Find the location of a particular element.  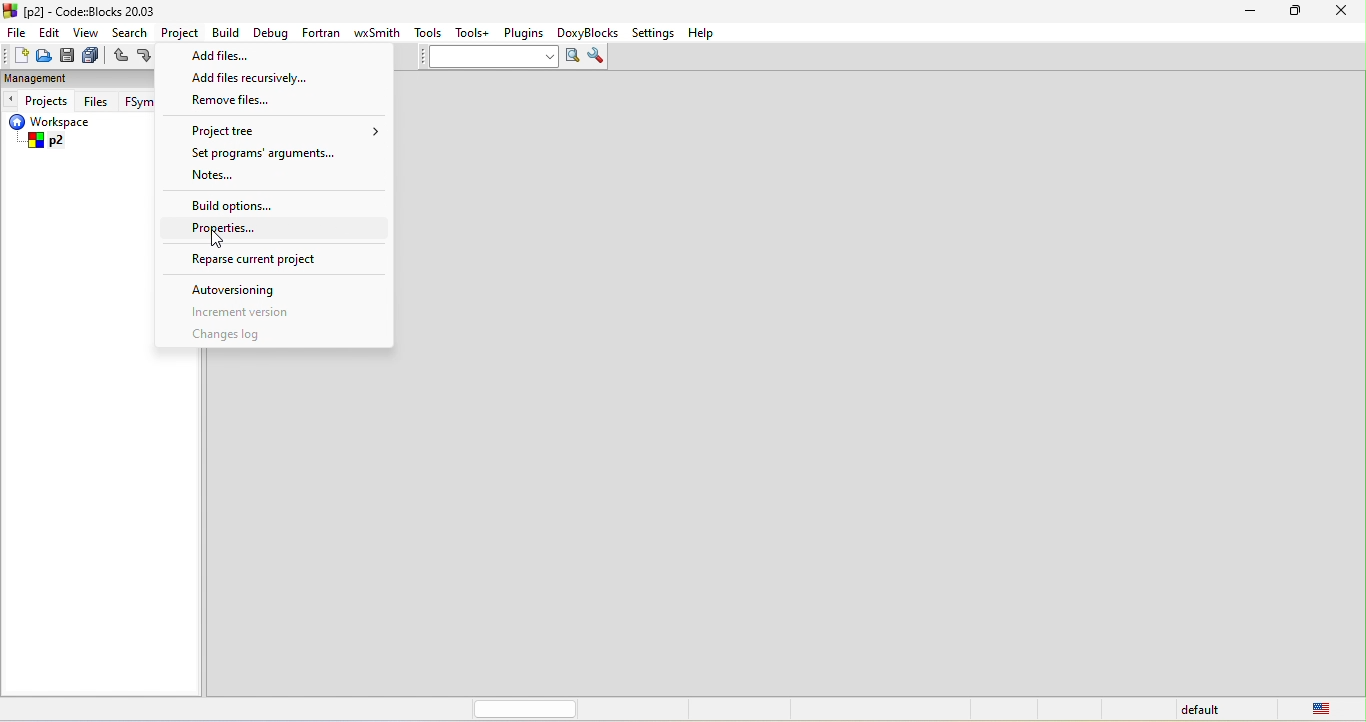

notes is located at coordinates (236, 175).